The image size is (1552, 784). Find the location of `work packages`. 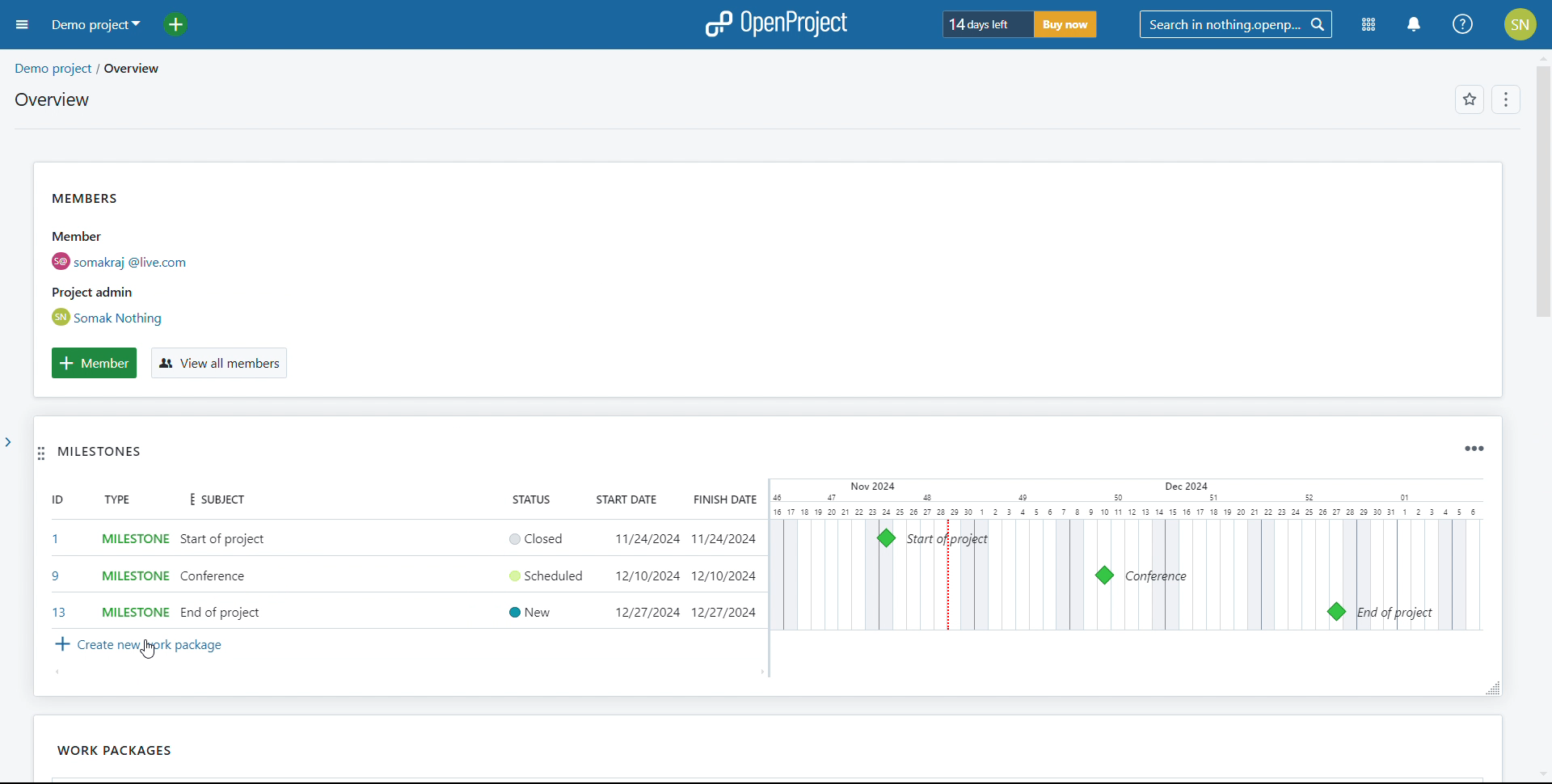

work packages is located at coordinates (116, 749).